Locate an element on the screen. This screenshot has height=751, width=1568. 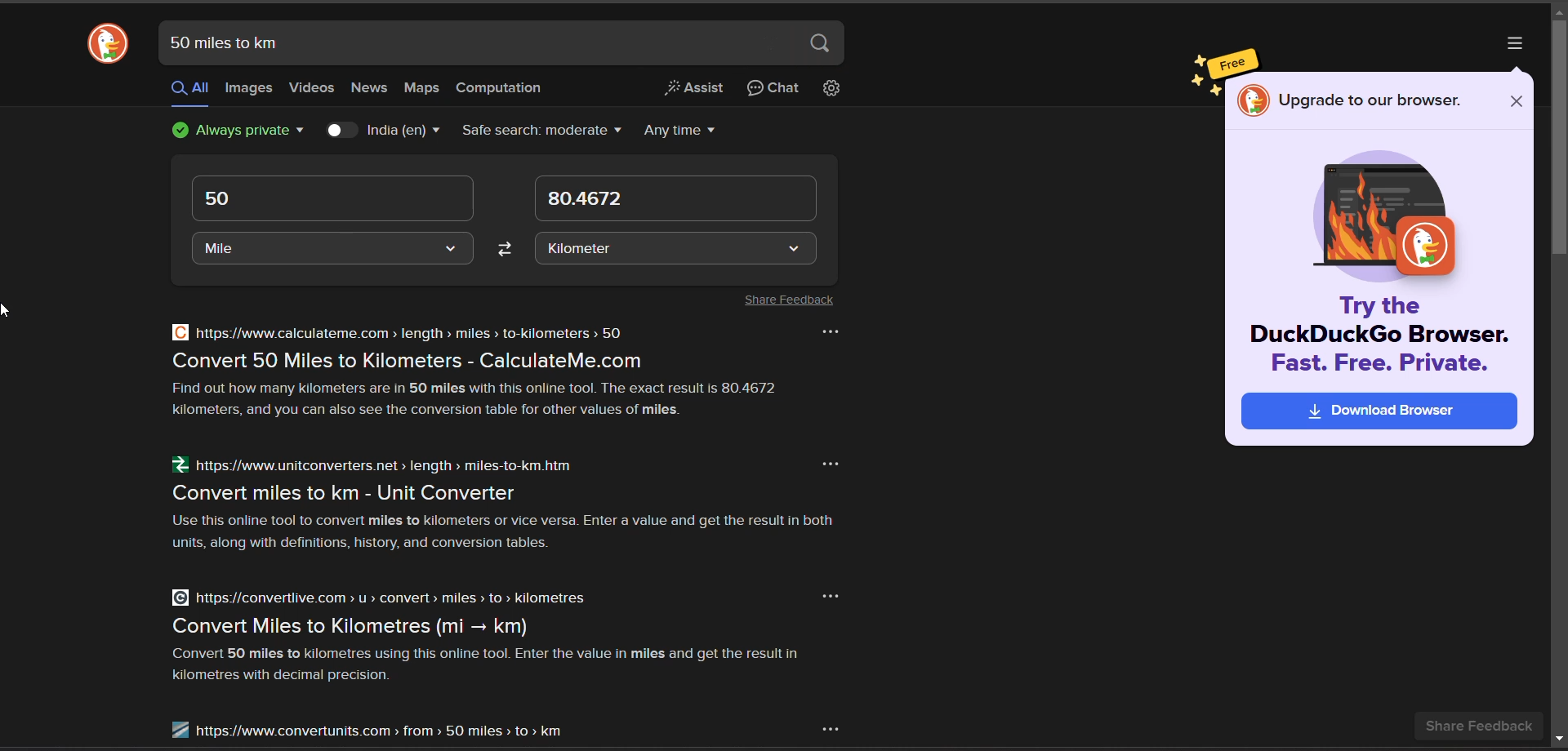
news is located at coordinates (367, 89).